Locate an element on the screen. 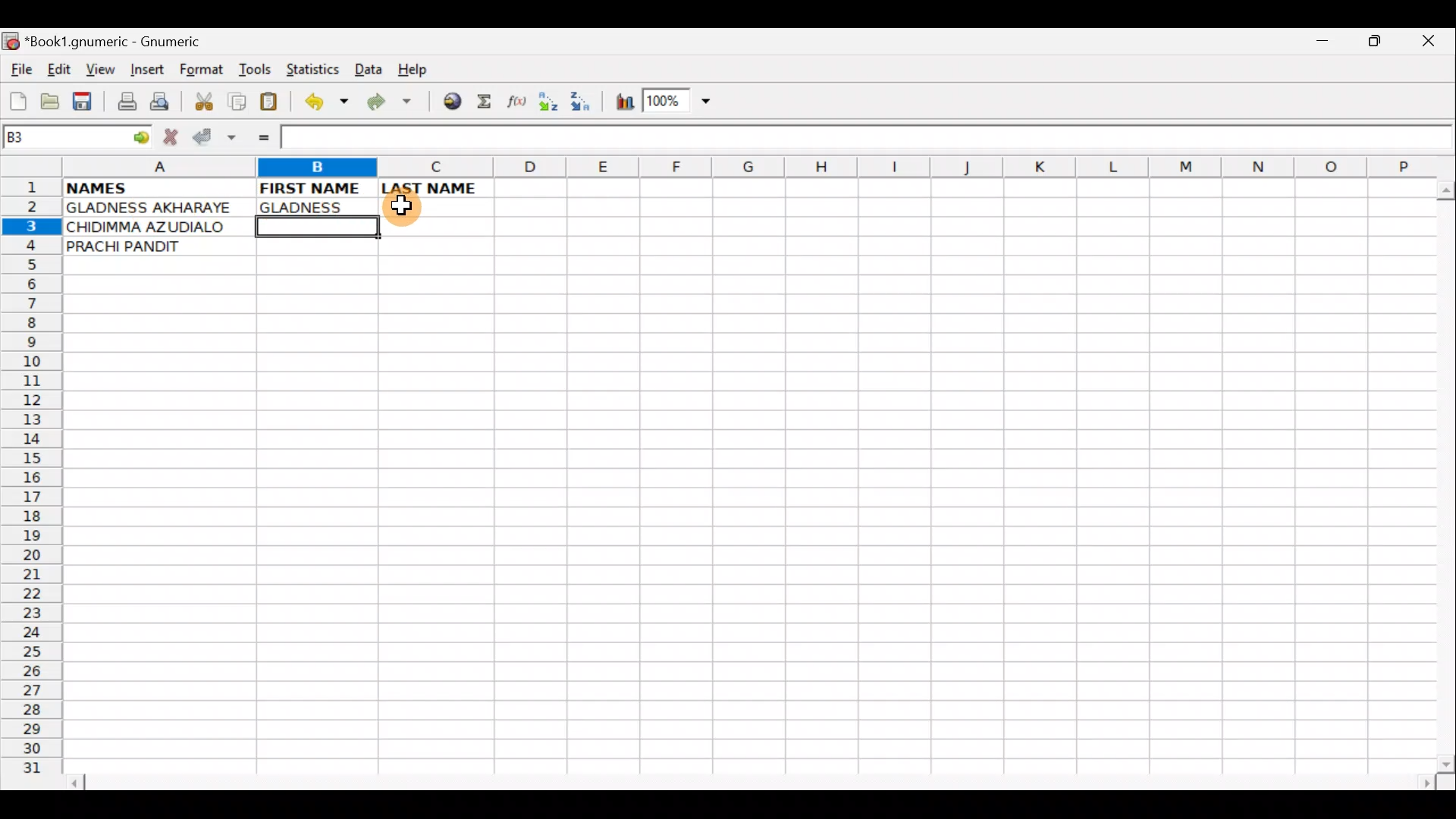 Image resolution: width=1456 pixels, height=819 pixels. Statistics is located at coordinates (317, 68).